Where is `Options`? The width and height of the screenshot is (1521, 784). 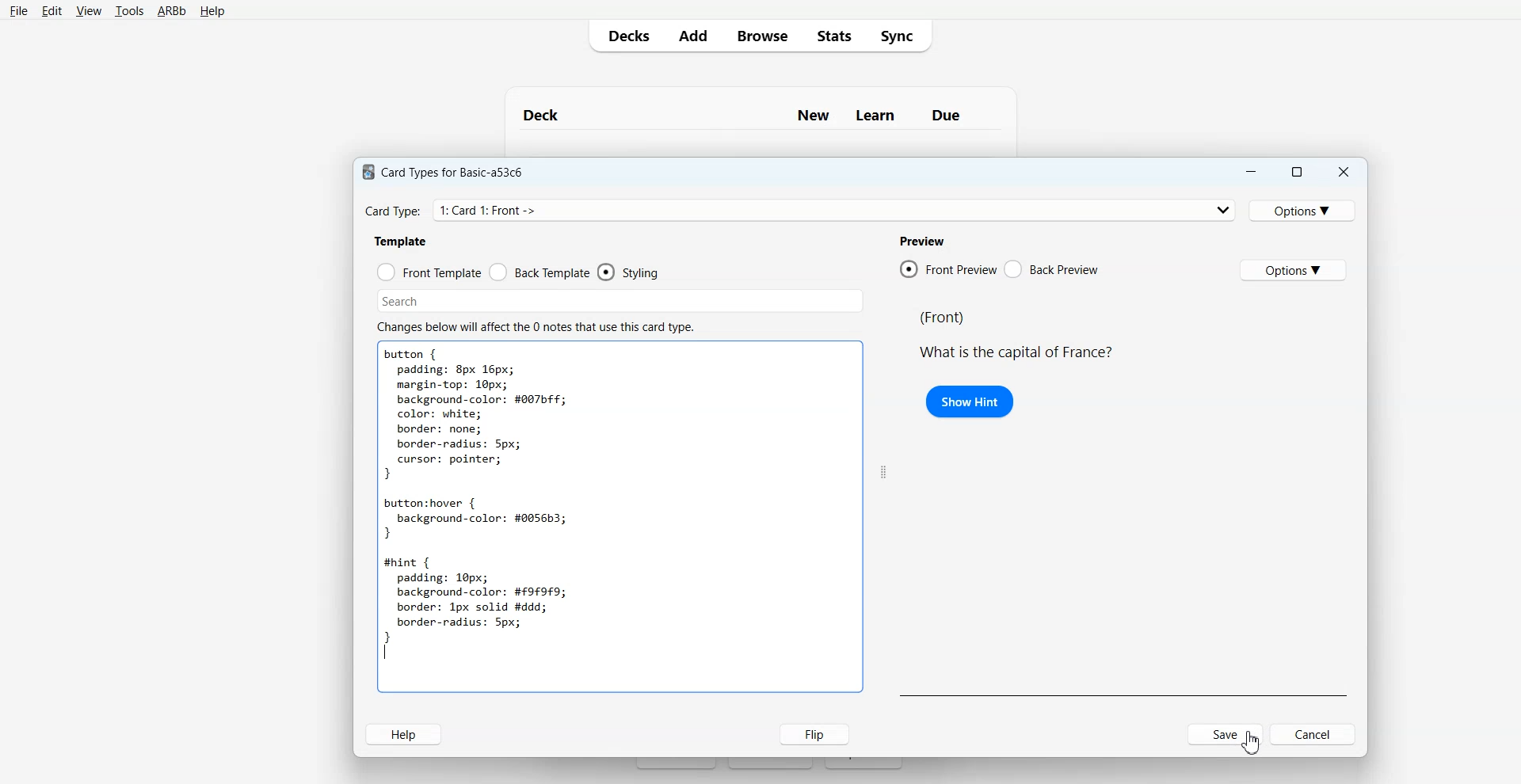
Options is located at coordinates (1305, 210).